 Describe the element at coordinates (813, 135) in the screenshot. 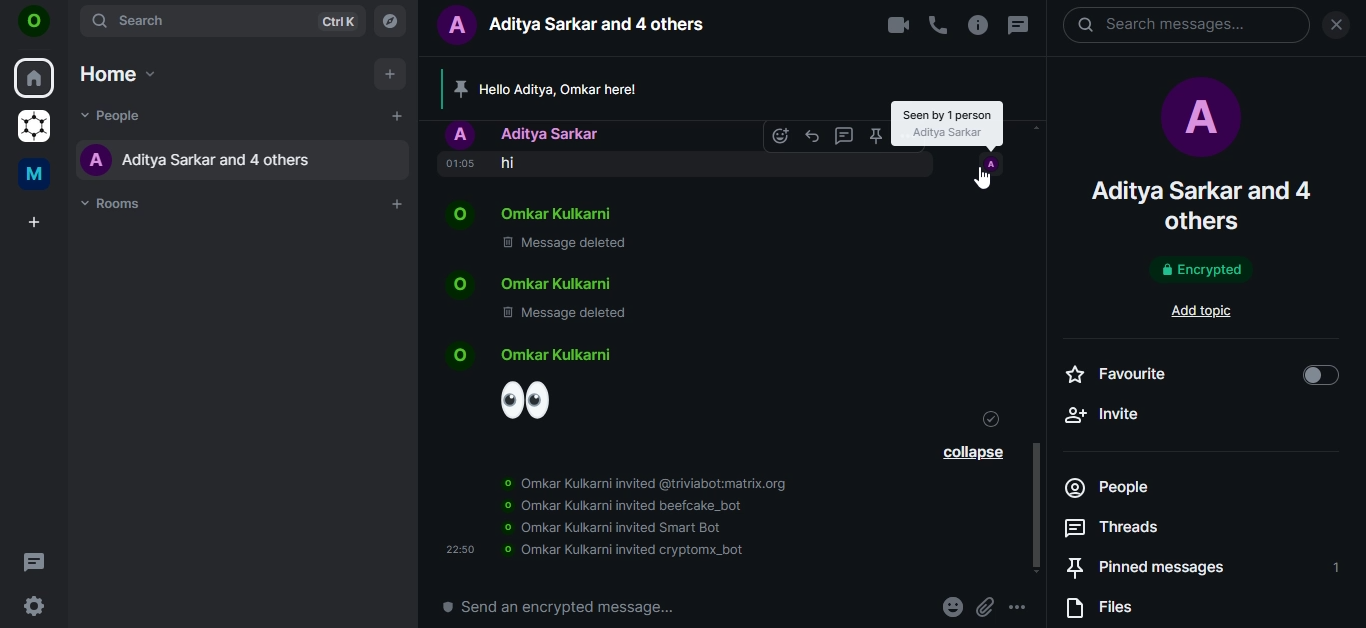

I see `forward` at that location.